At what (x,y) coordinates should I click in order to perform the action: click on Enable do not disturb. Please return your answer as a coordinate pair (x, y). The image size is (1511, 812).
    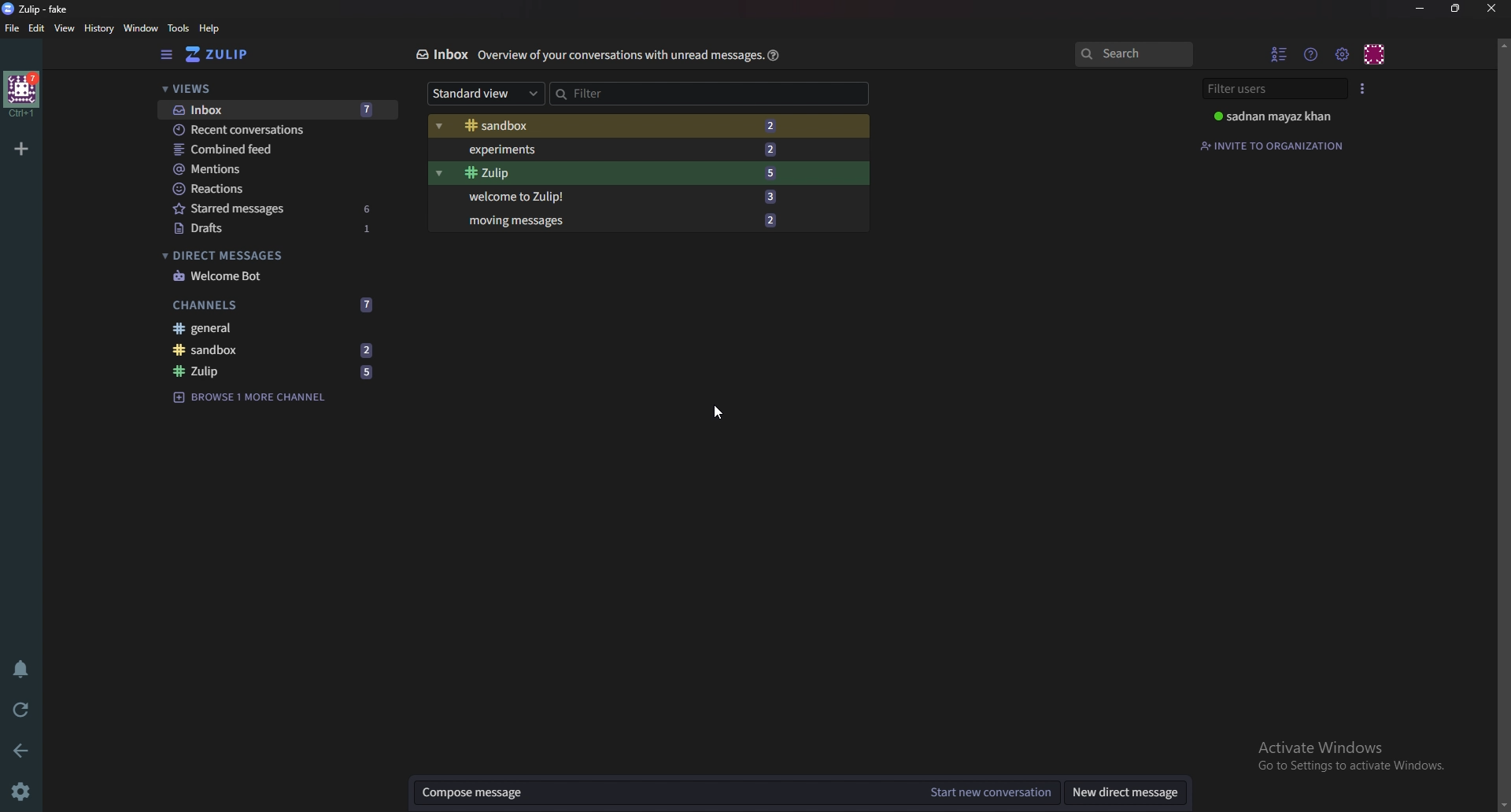
    Looking at the image, I should click on (22, 669).